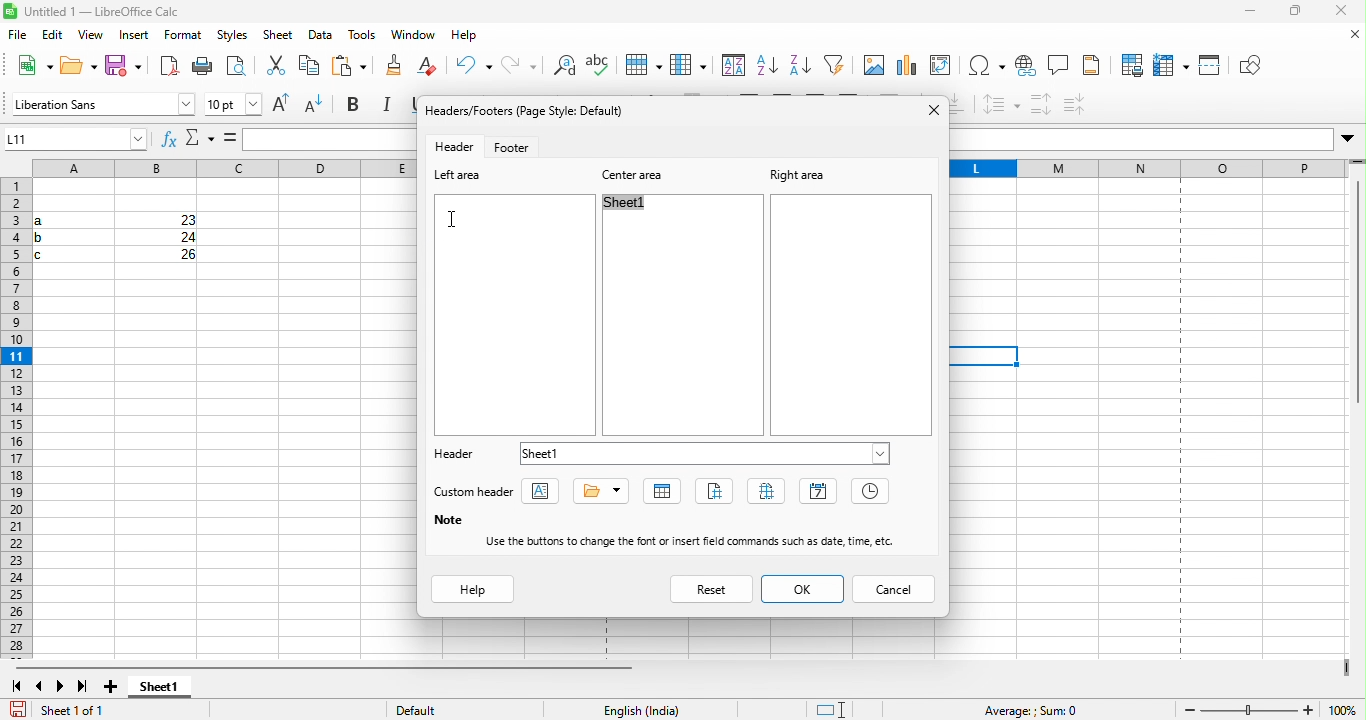 The width and height of the screenshot is (1366, 720). What do you see at coordinates (37, 683) in the screenshot?
I see `previous sheet` at bounding box center [37, 683].